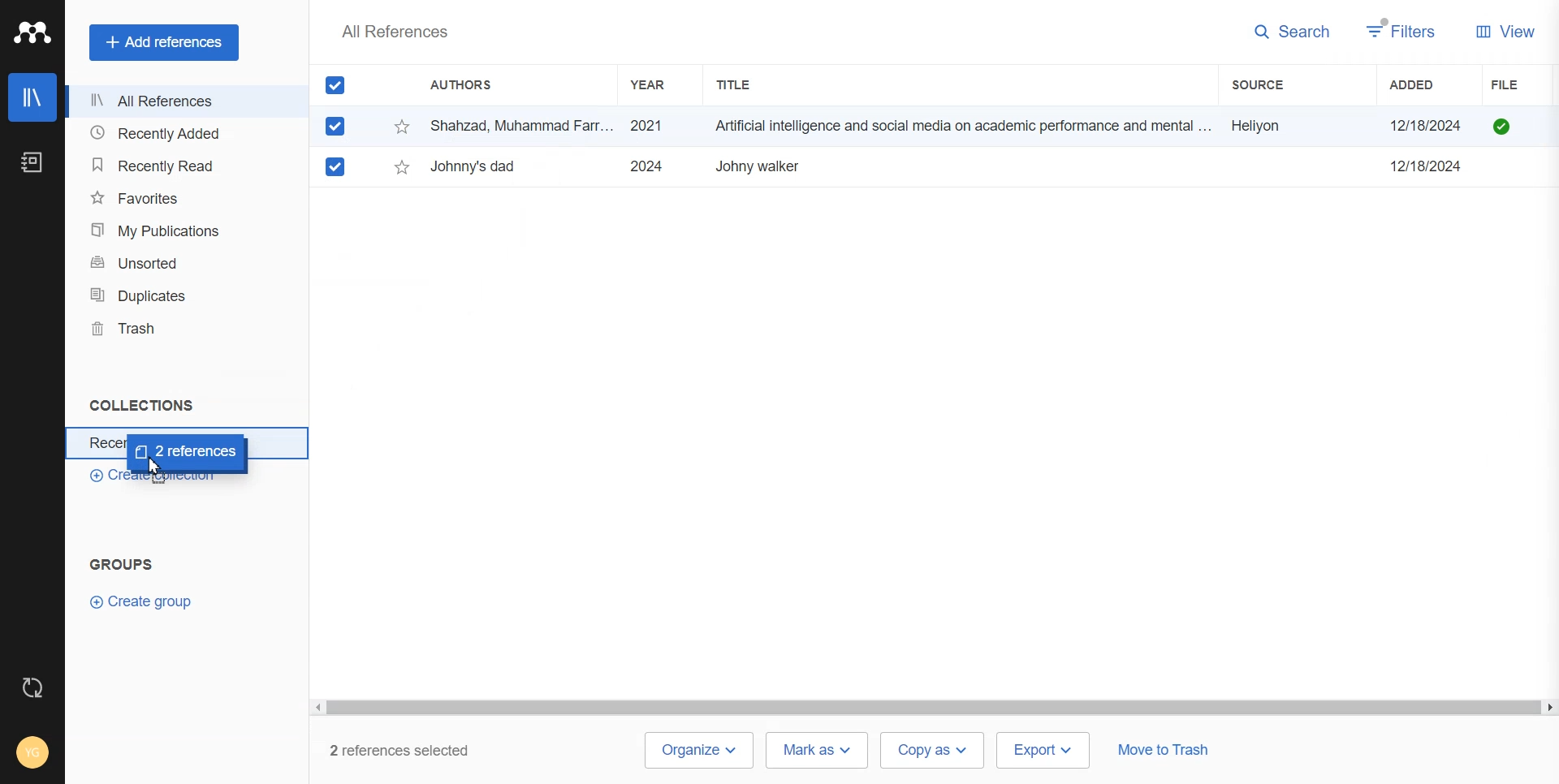  I want to click on Title, so click(748, 84).